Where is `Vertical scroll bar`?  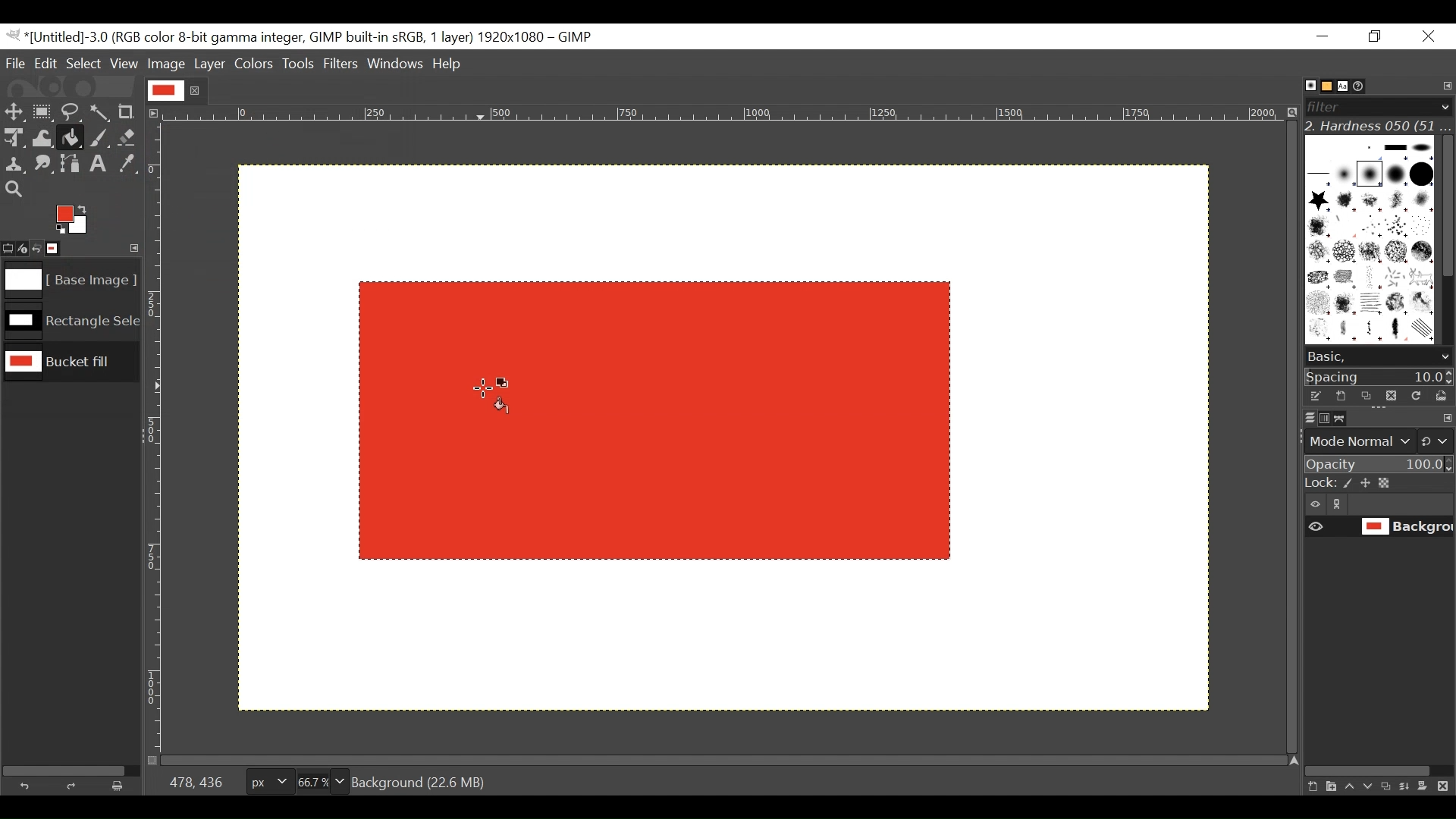 Vertical scroll bar is located at coordinates (1445, 204).